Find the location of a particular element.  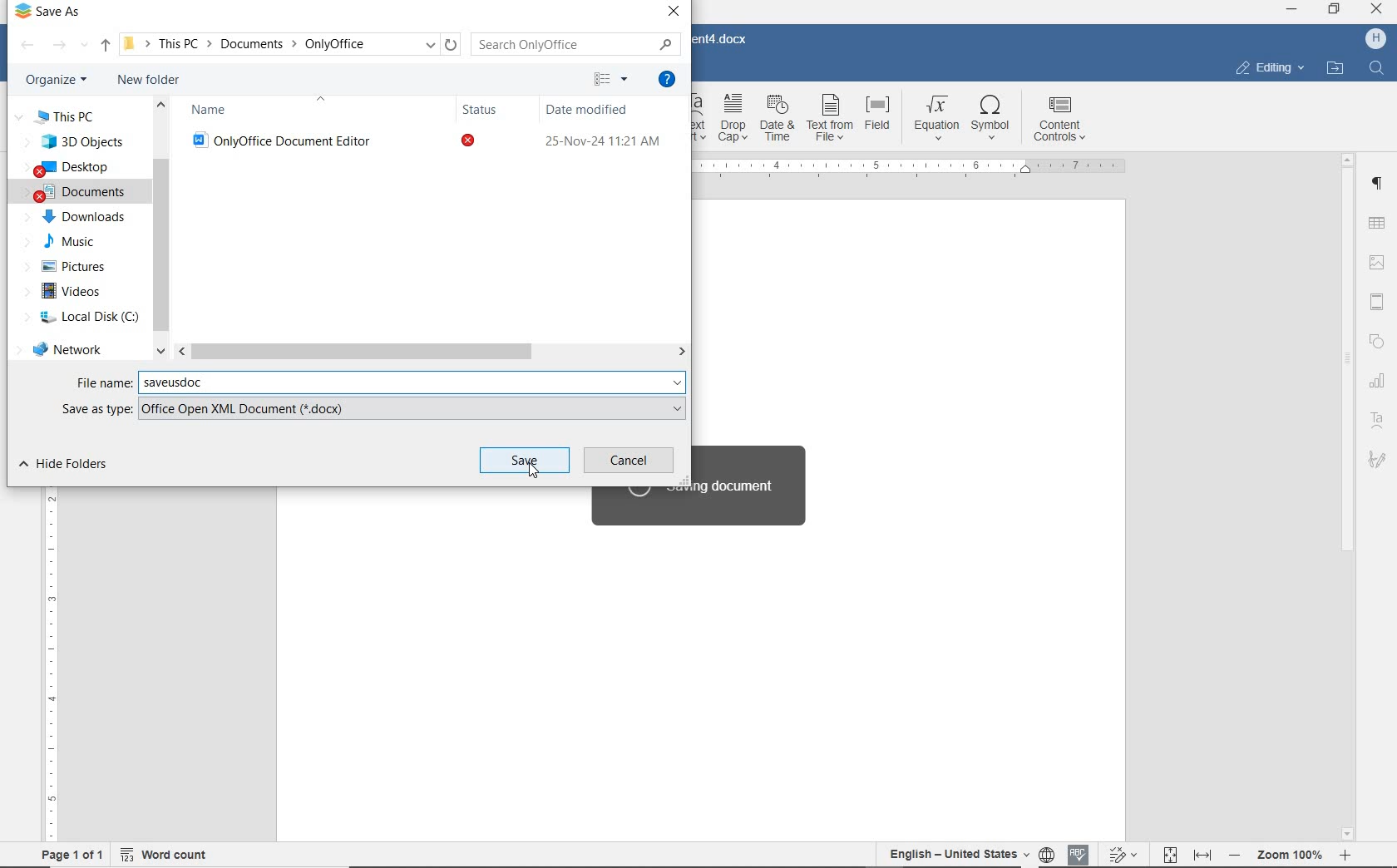

text art is located at coordinates (1378, 420).